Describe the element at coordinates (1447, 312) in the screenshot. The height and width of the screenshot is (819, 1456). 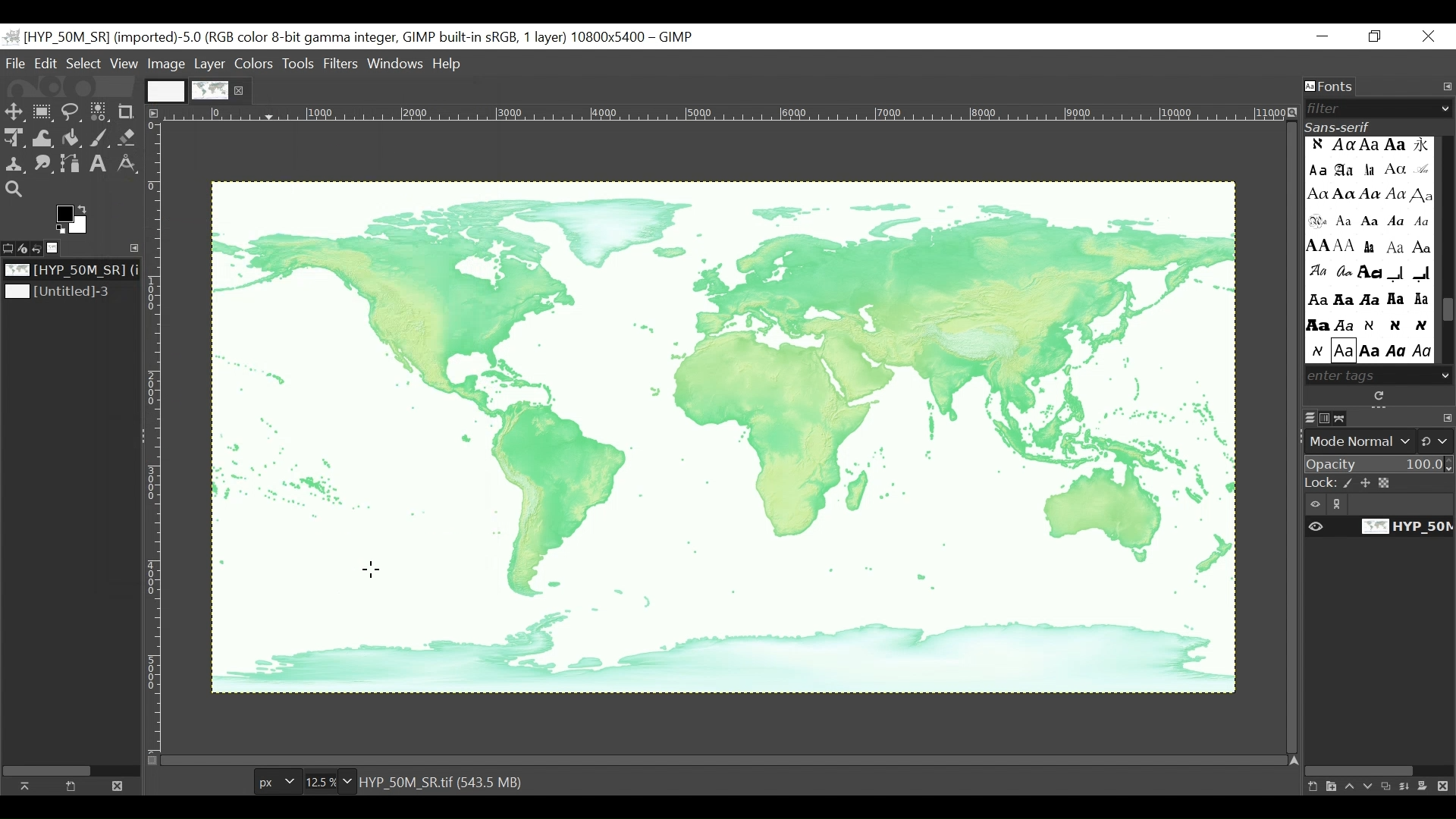
I see `Scroll bar` at that location.